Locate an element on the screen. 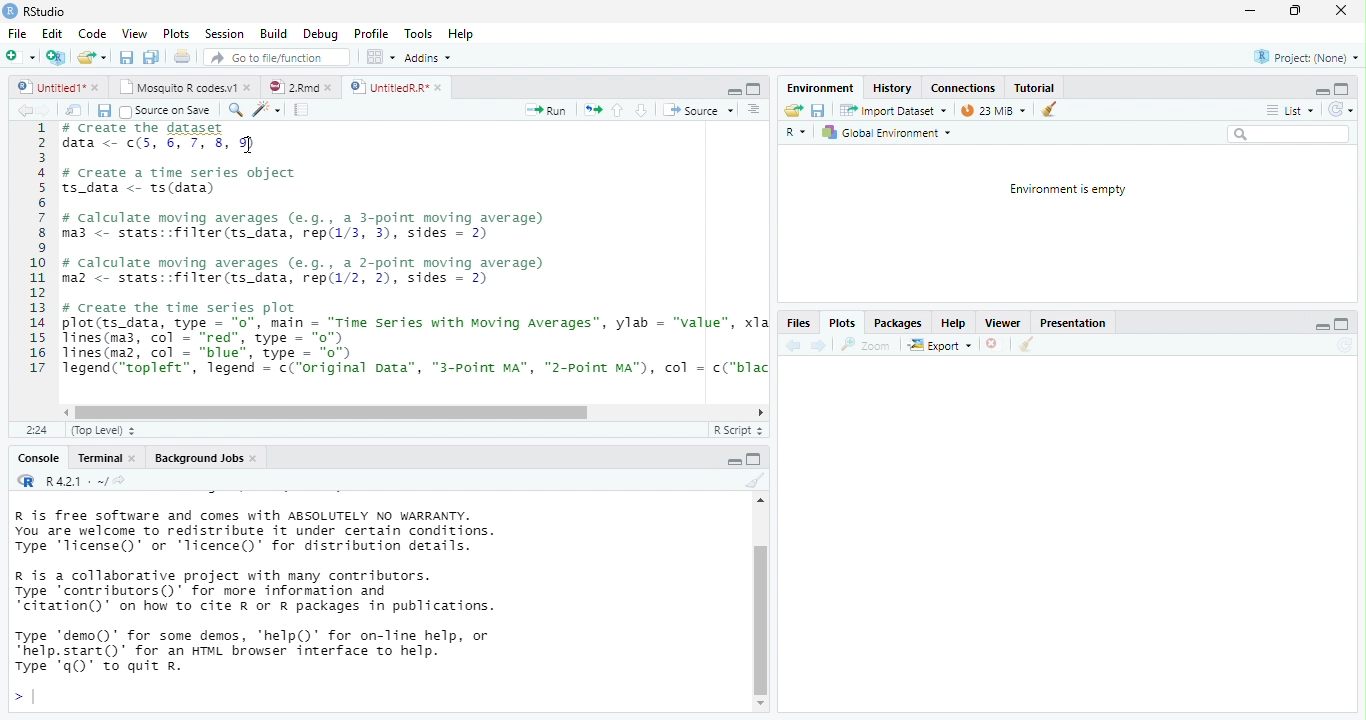  compile report is located at coordinates (303, 109).